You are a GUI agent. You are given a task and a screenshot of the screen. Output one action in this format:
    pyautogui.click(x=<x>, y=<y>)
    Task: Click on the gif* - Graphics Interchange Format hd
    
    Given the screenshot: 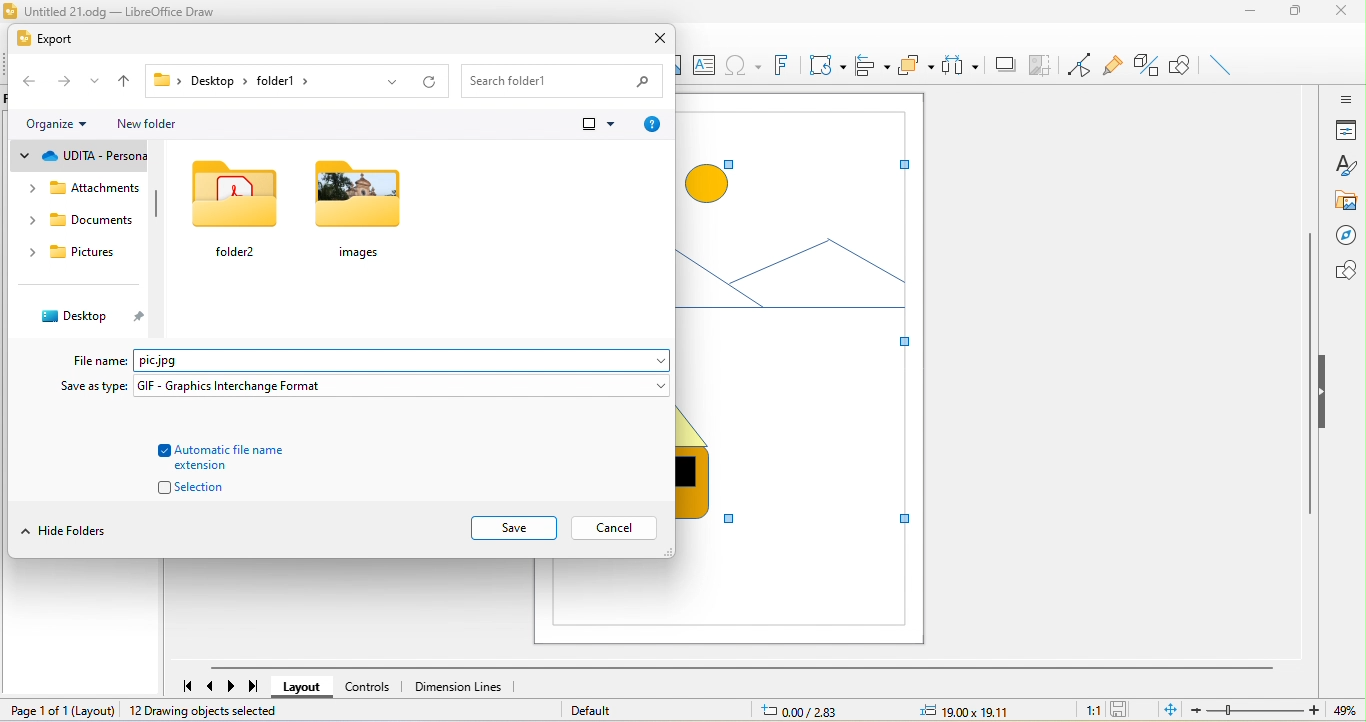 What is the action you would take?
    pyautogui.click(x=401, y=387)
    